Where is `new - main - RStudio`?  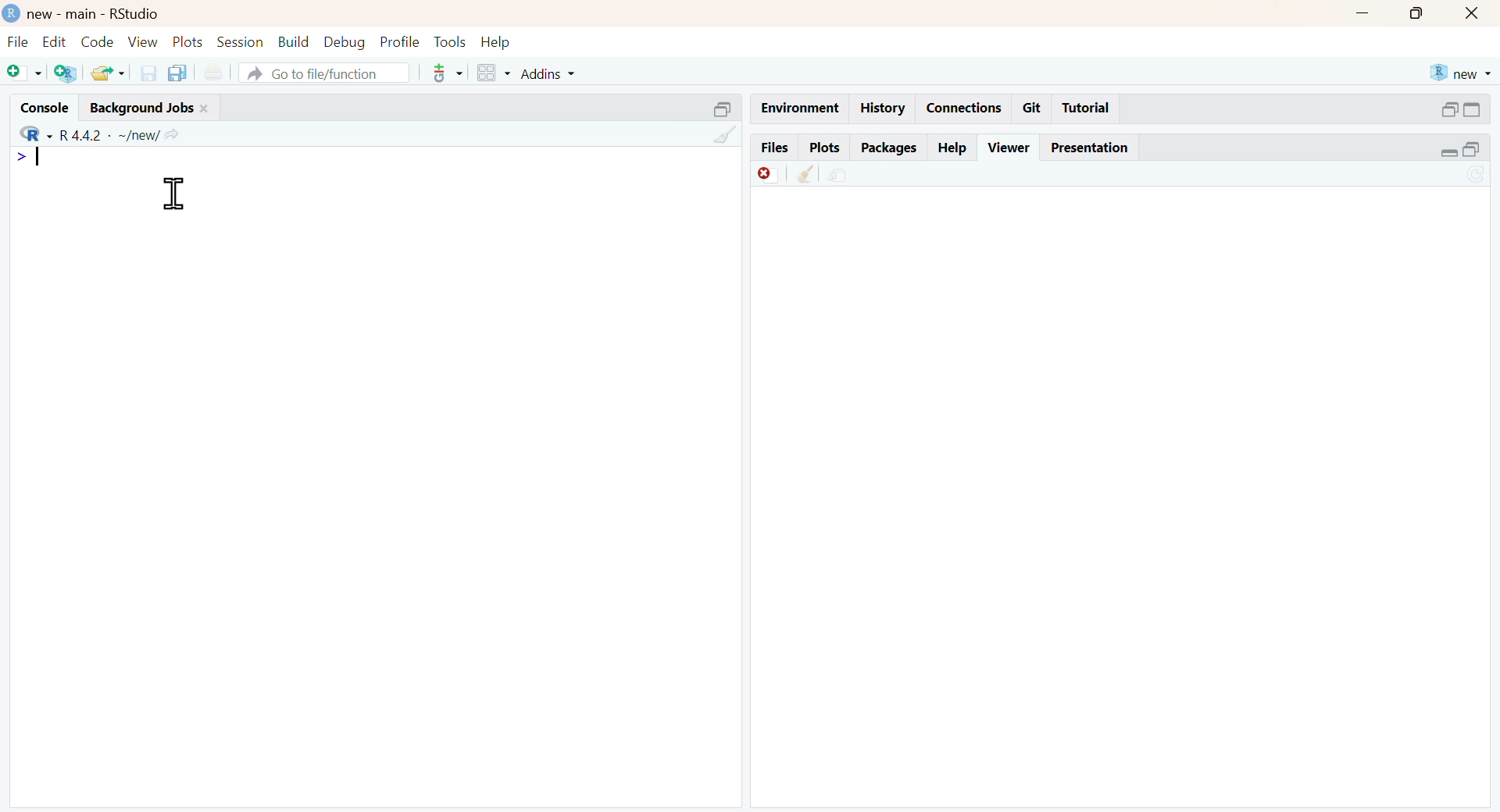
new - main - RStudio is located at coordinates (96, 15).